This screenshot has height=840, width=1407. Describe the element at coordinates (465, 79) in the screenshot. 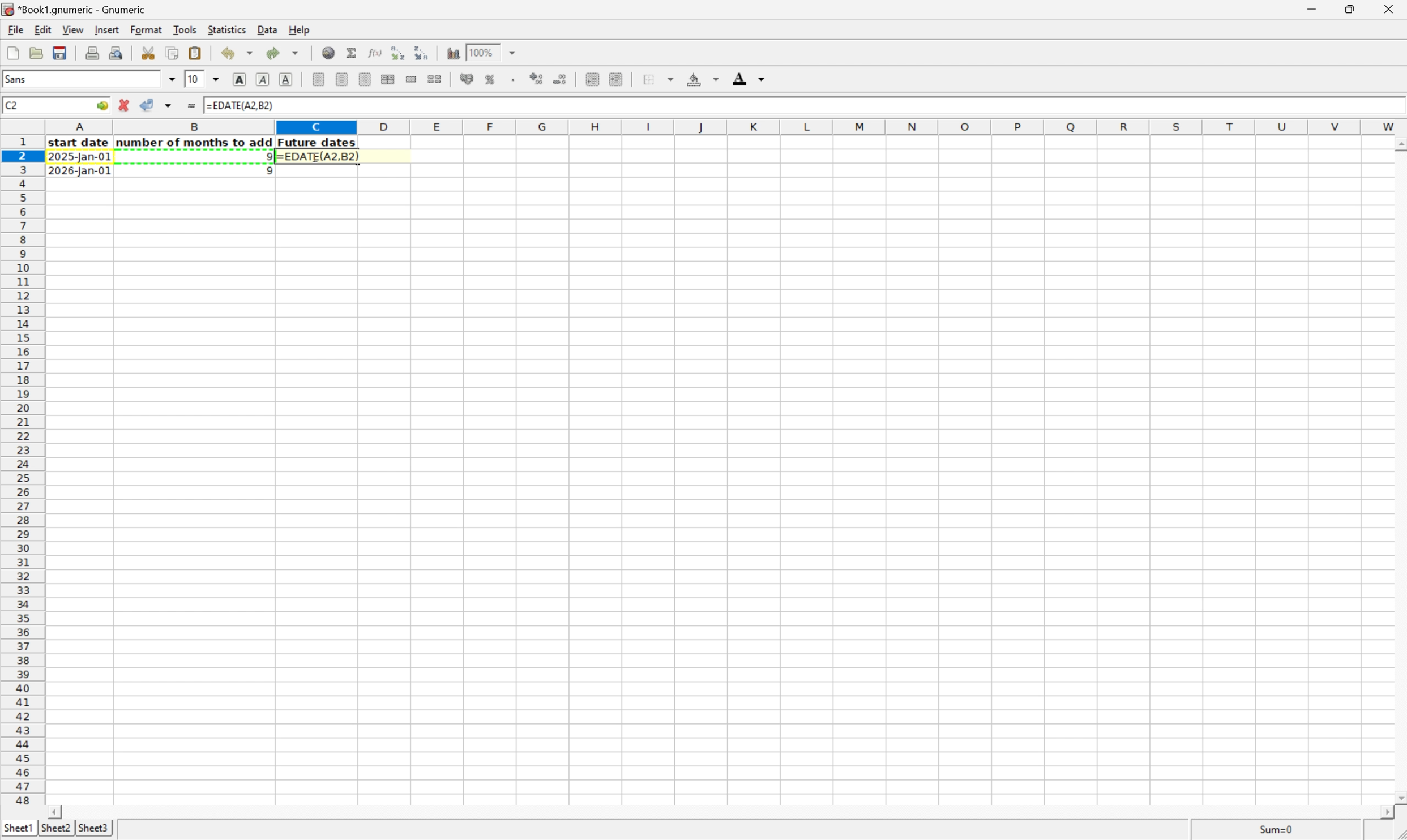

I see `Format the selection as accounting` at that location.